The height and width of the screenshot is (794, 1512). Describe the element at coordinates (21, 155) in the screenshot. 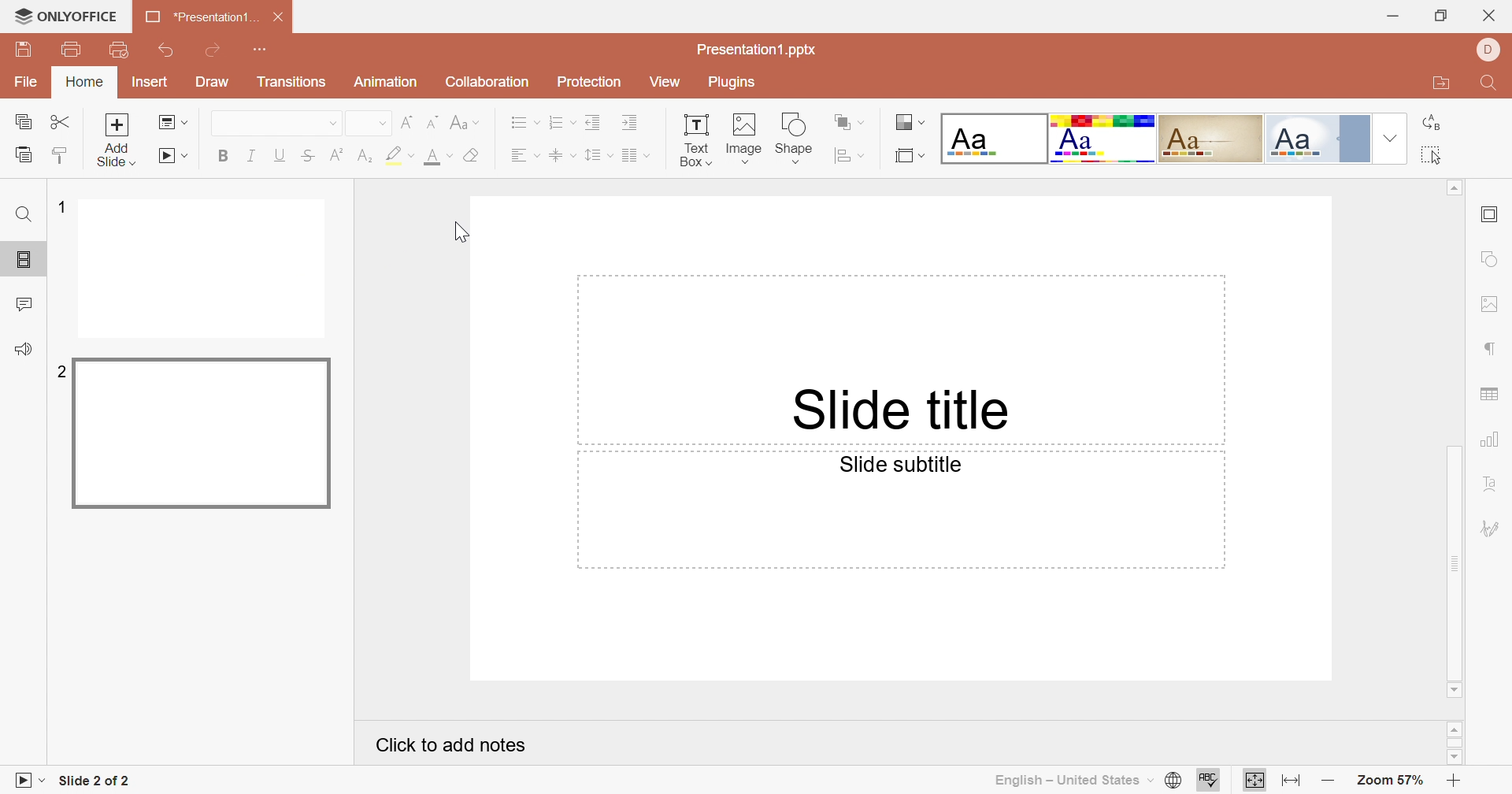

I see `Paste` at that location.